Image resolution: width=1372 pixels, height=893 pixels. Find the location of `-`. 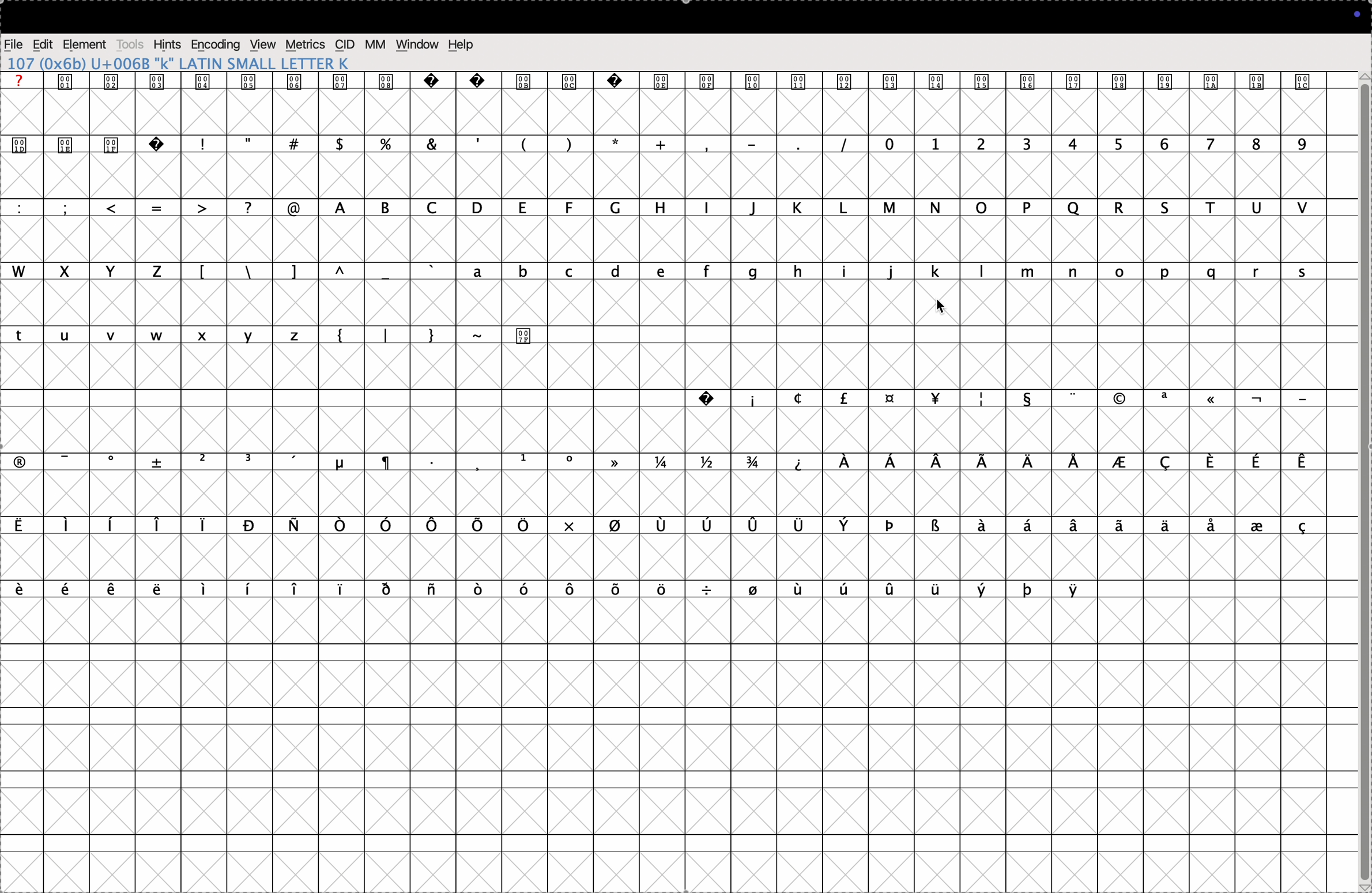

- is located at coordinates (480, 340).